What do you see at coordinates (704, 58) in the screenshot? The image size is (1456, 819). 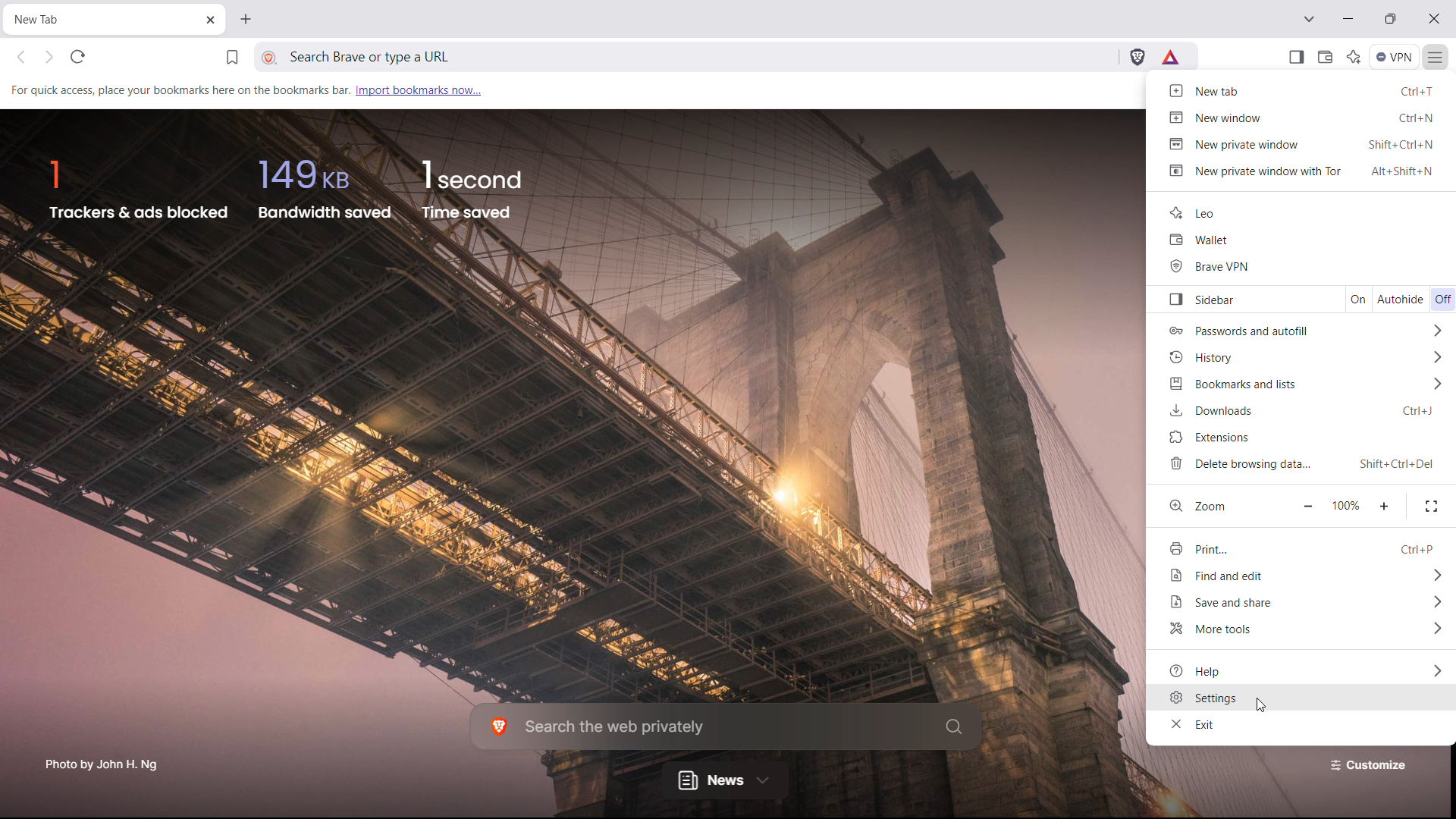 I see `Search Brave or type a URL` at bounding box center [704, 58].